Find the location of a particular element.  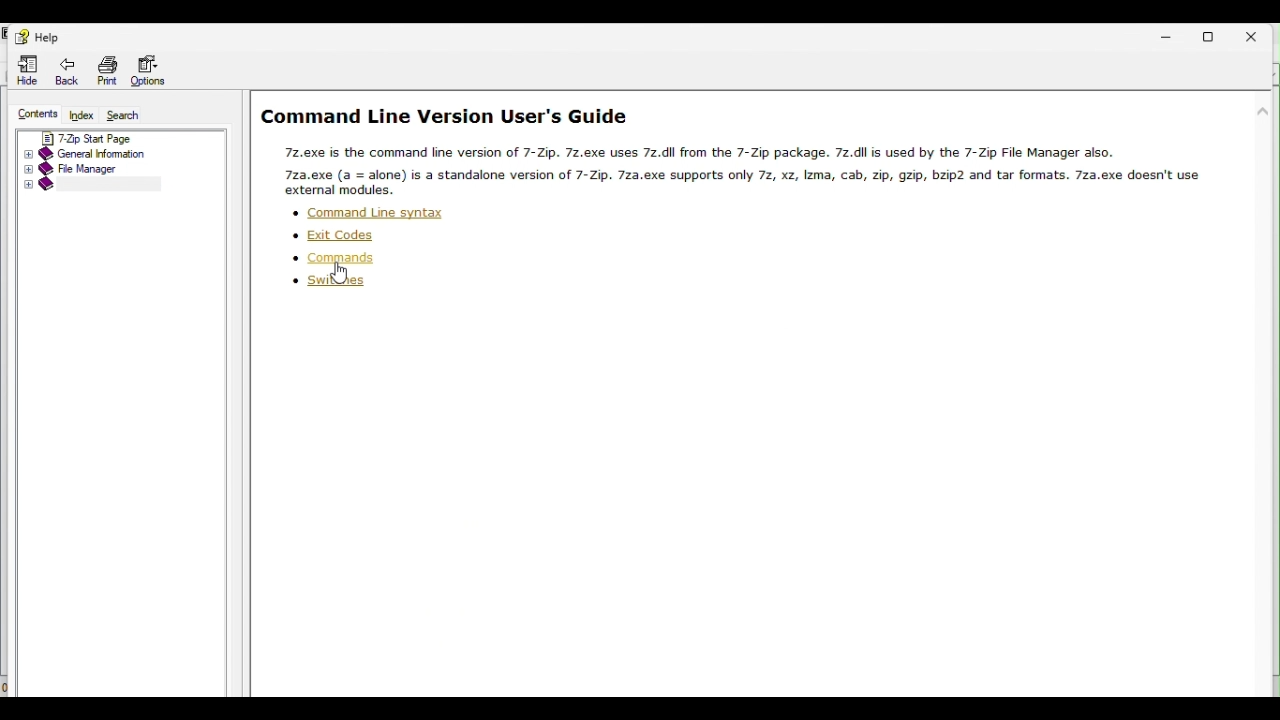

Print is located at coordinates (108, 71).